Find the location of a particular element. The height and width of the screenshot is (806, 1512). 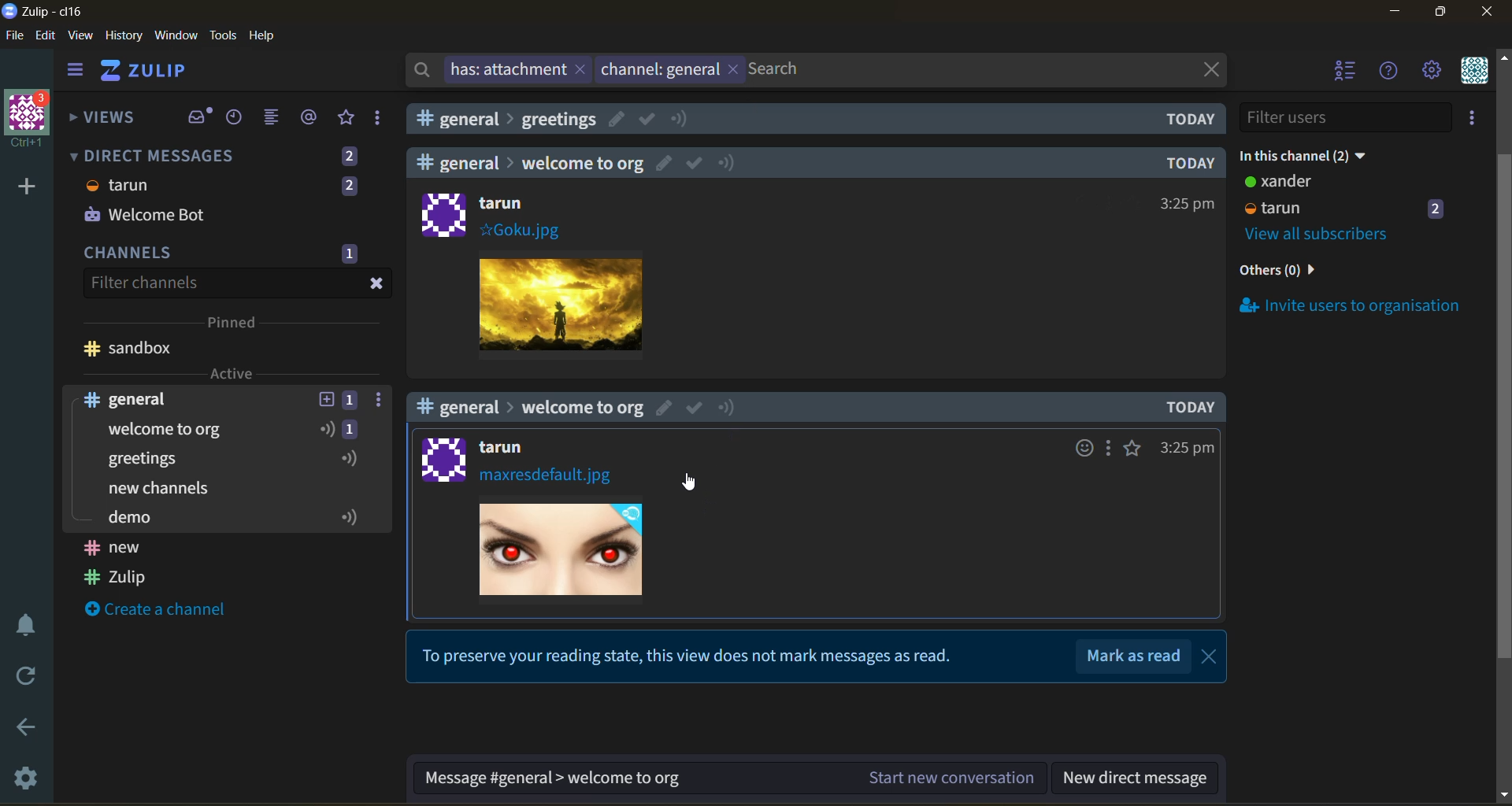

hide users list is located at coordinates (1342, 70).